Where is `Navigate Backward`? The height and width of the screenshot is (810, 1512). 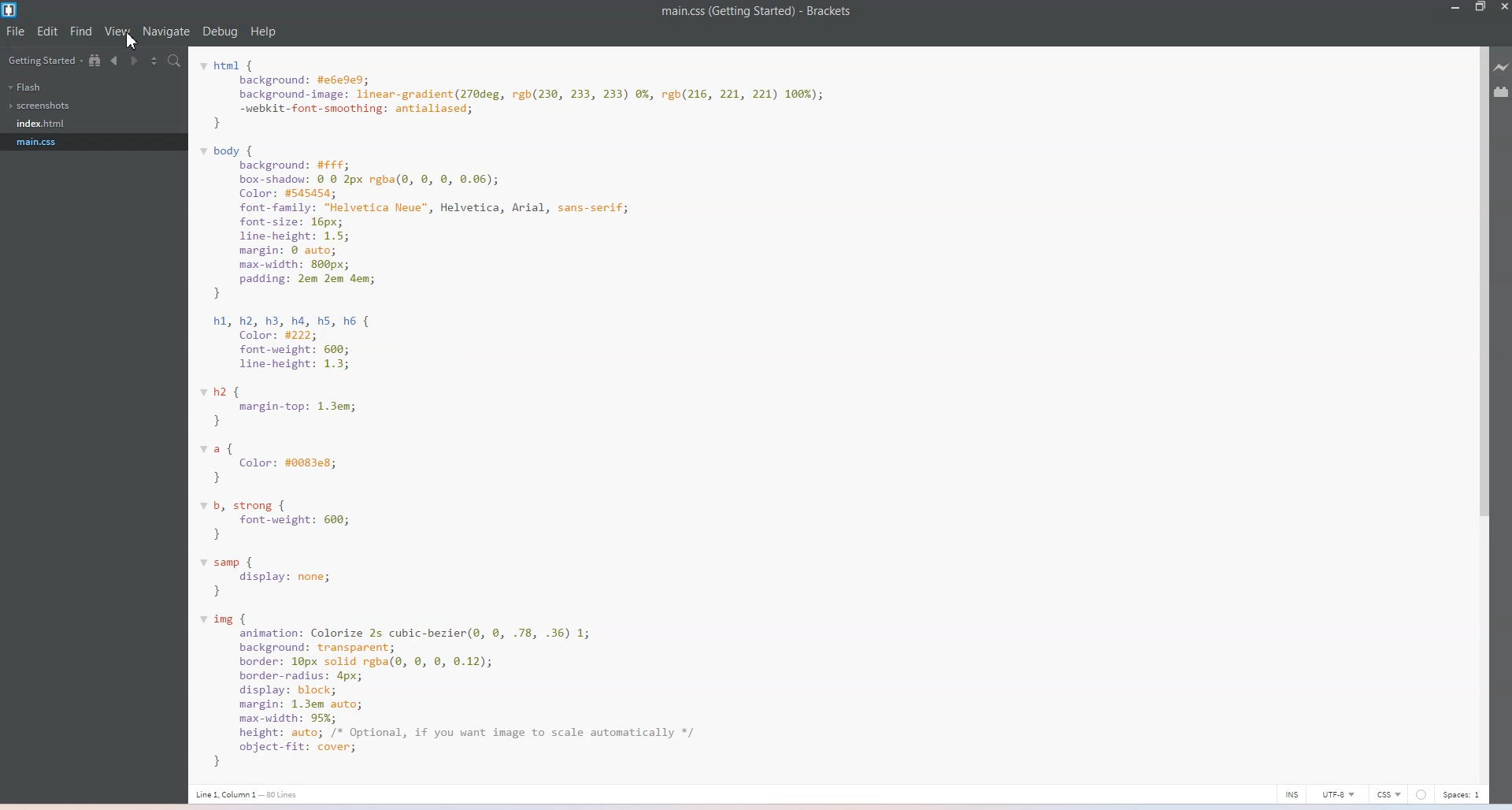 Navigate Backward is located at coordinates (117, 61).